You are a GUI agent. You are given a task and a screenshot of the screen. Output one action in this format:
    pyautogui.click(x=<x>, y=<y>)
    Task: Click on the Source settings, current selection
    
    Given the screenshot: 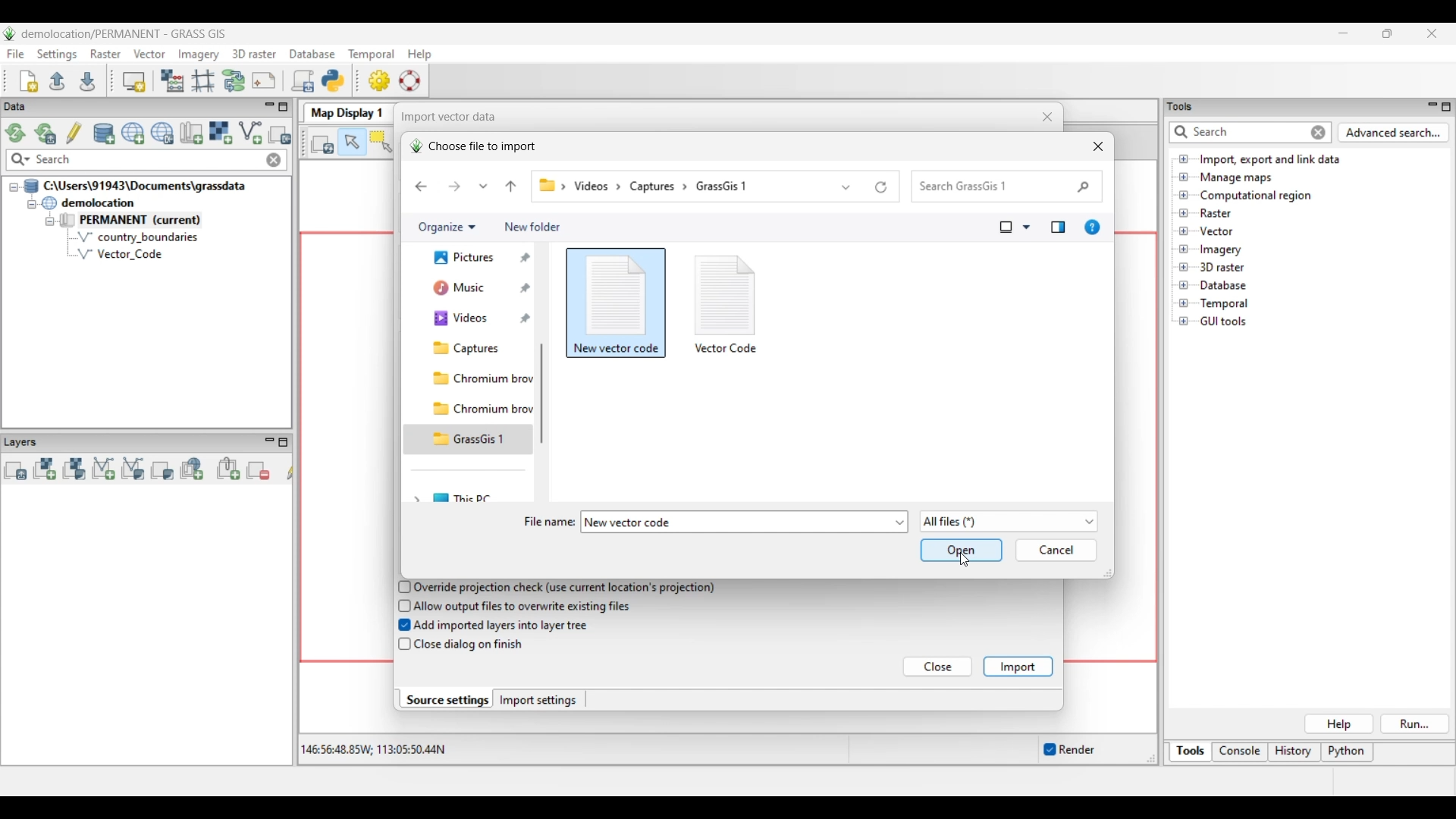 What is the action you would take?
    pyautogui.click(x=446, y=699)
    